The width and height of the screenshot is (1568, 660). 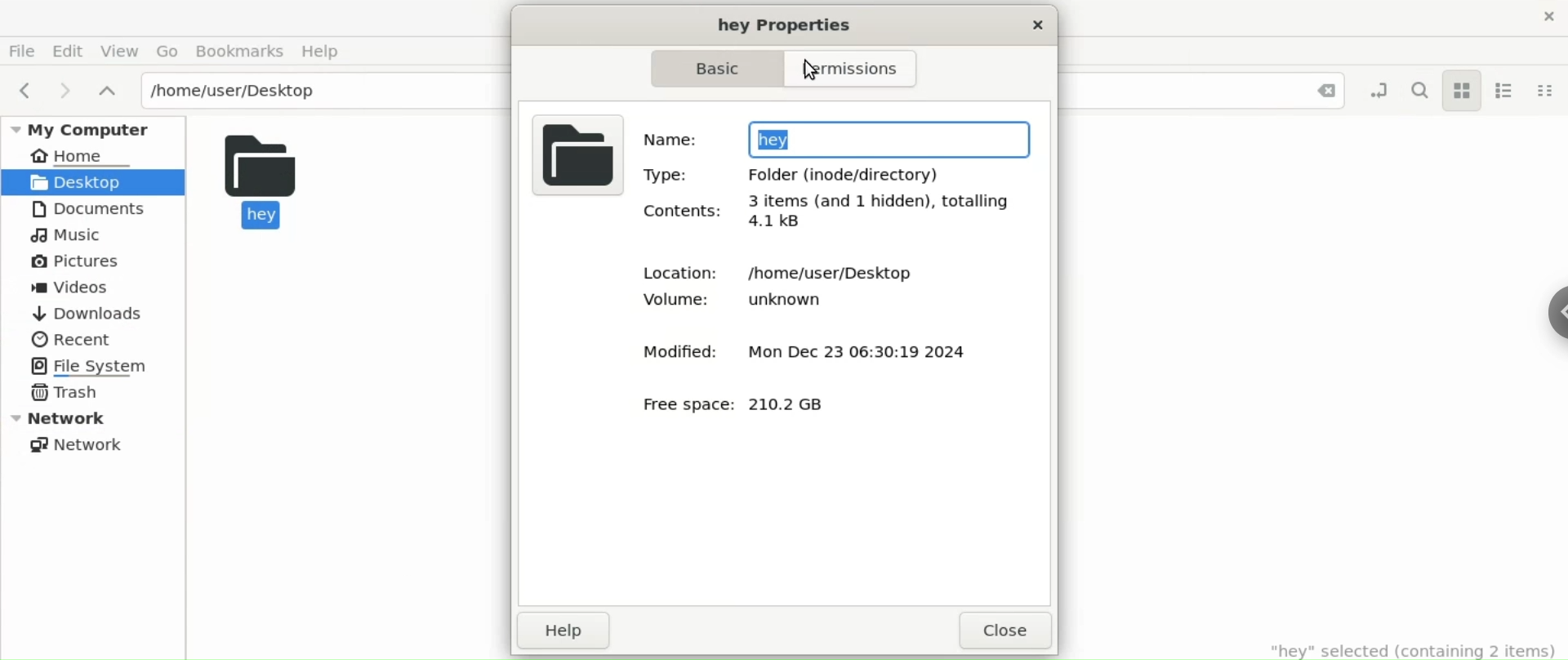 I want to click on Pictures, so click(x=82, y=264).